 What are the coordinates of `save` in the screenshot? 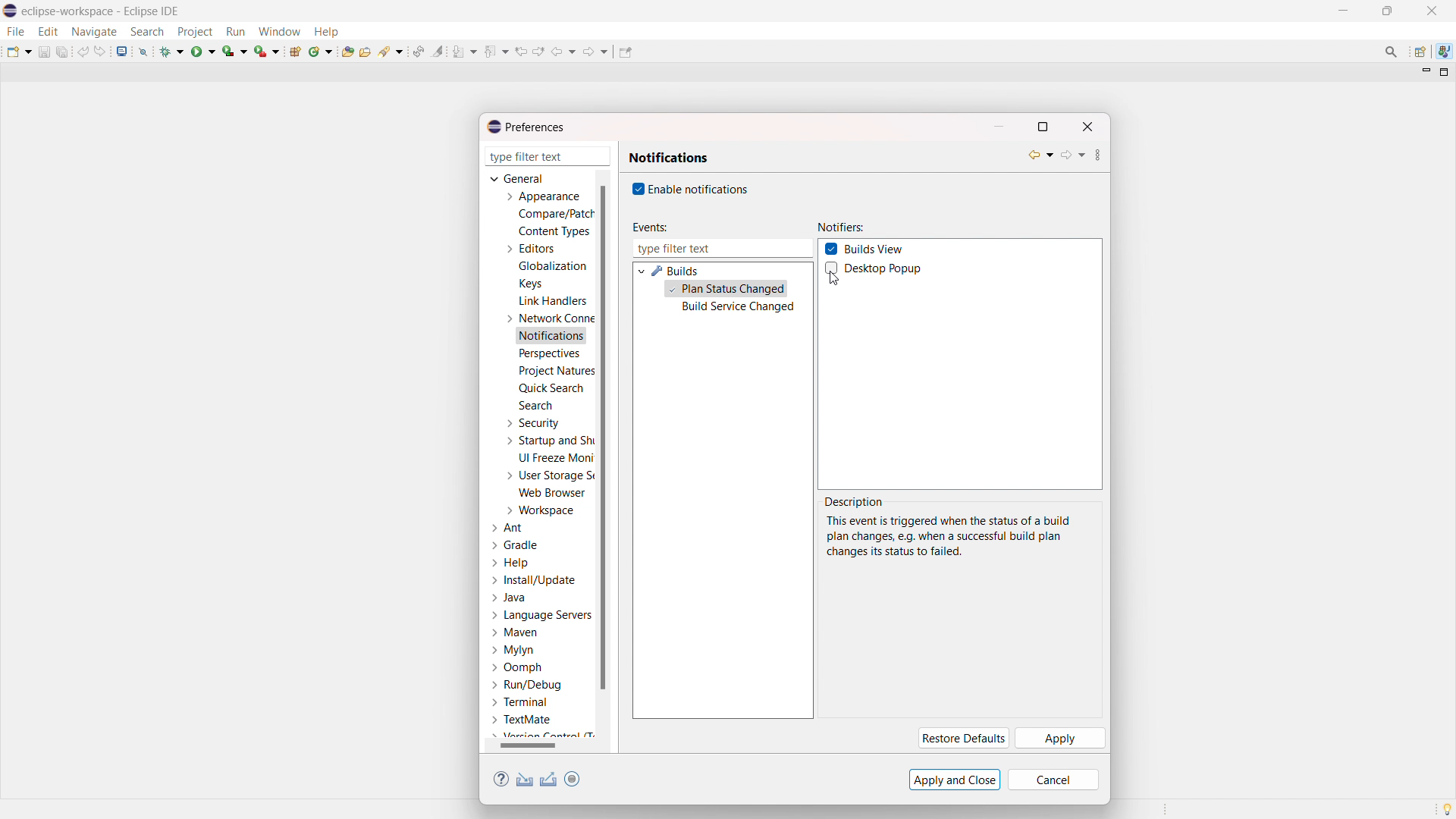 It's located at (44, 52).